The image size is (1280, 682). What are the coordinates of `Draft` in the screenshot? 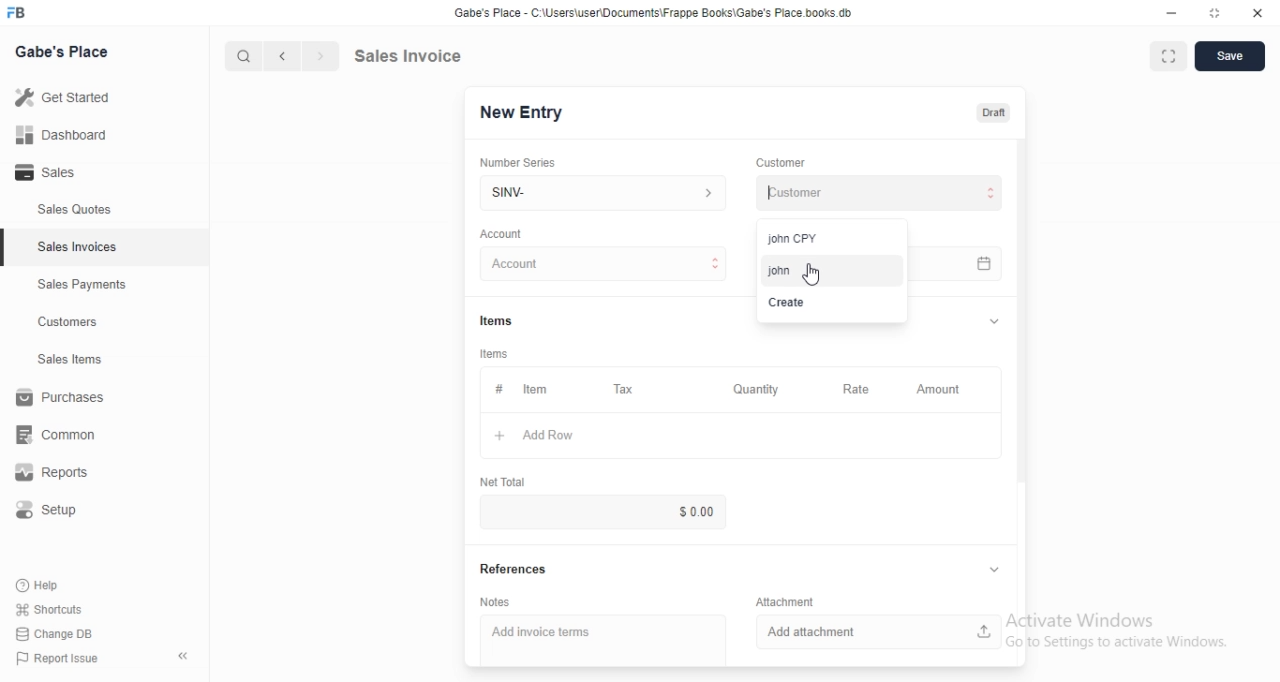 It's located at (995, 113).